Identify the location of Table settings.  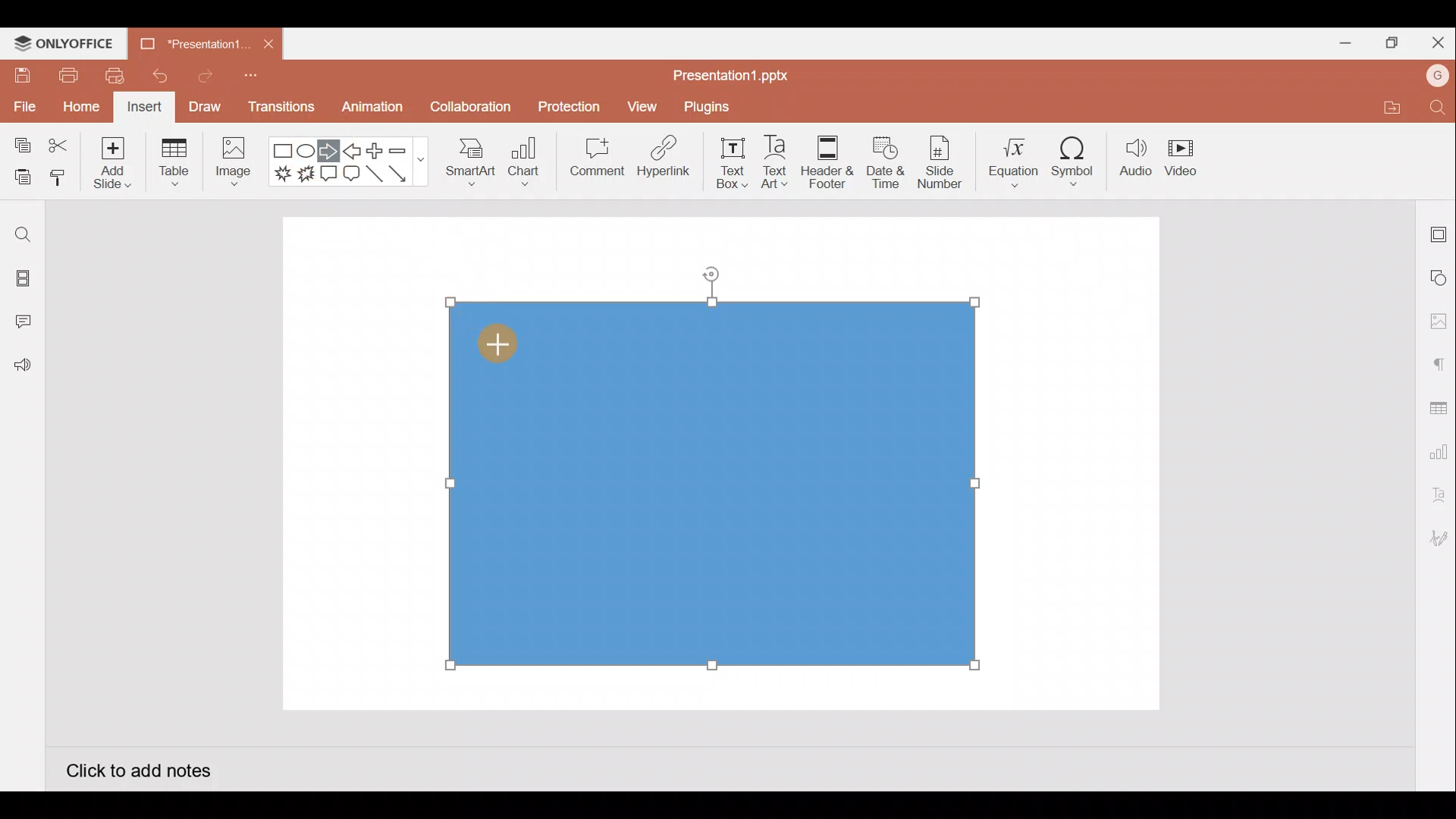
(1435, 406).